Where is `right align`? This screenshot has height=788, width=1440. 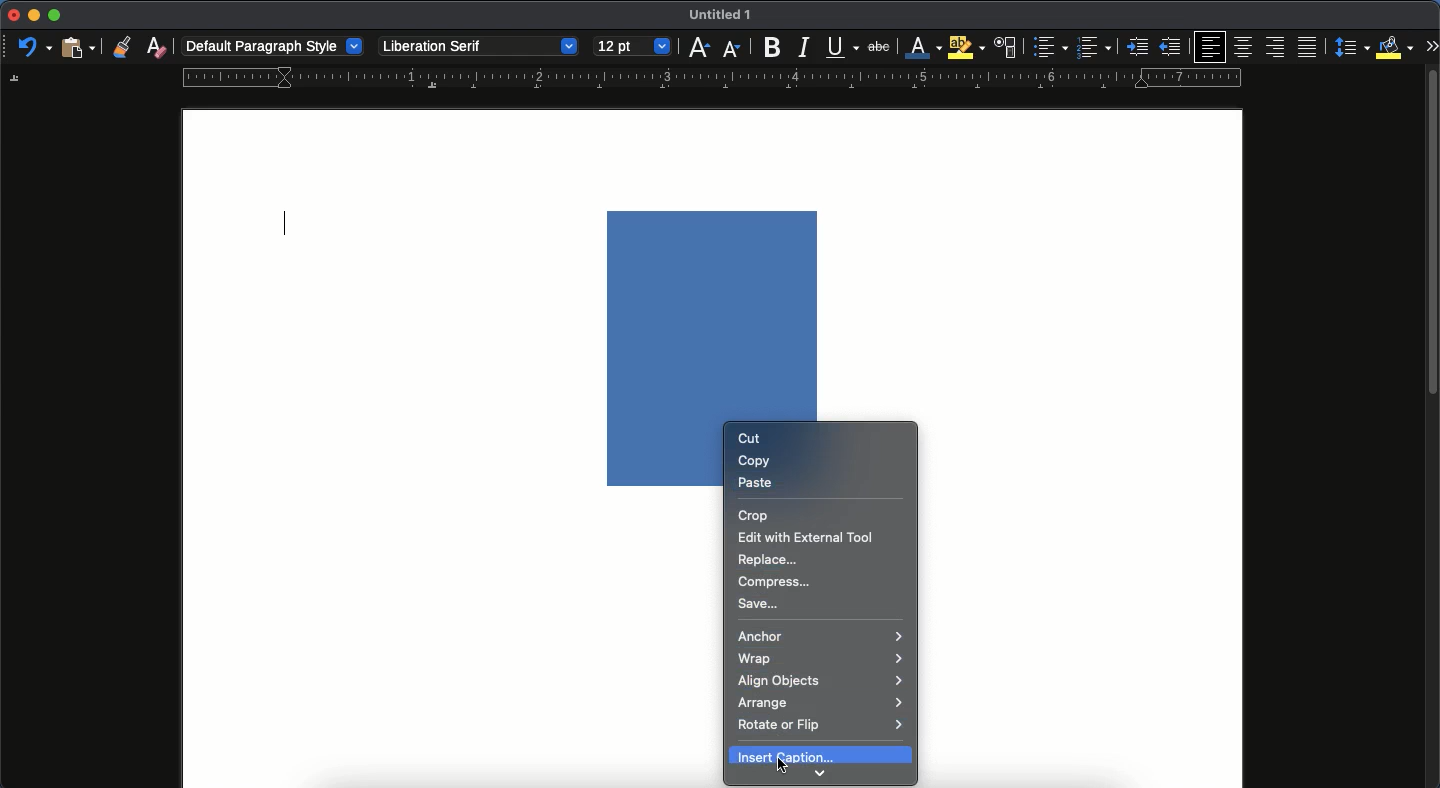 right align is located at coordinates (1274, 47).